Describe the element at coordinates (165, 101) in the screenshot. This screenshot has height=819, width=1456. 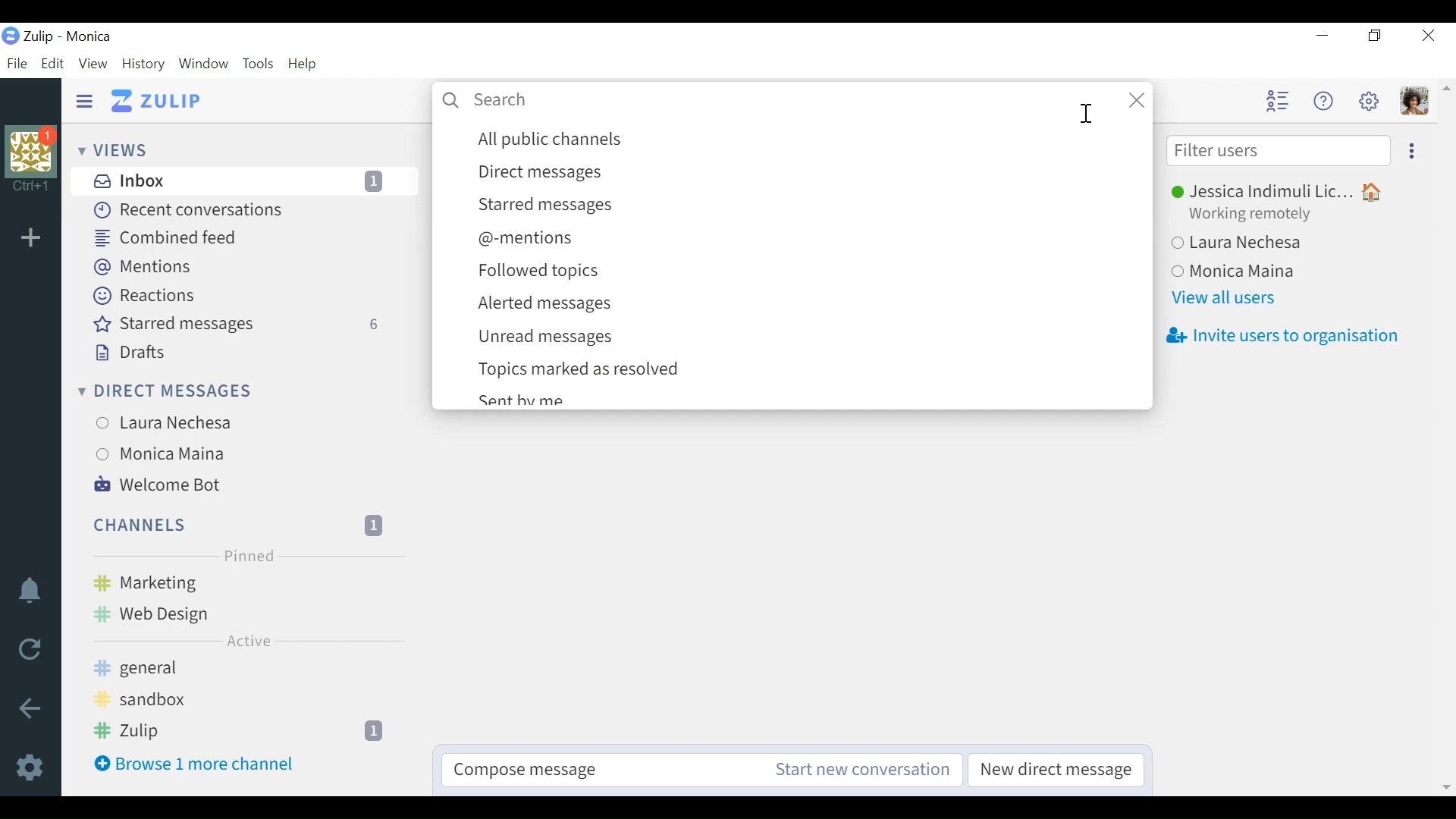
I see `Go to Home View` at that location.